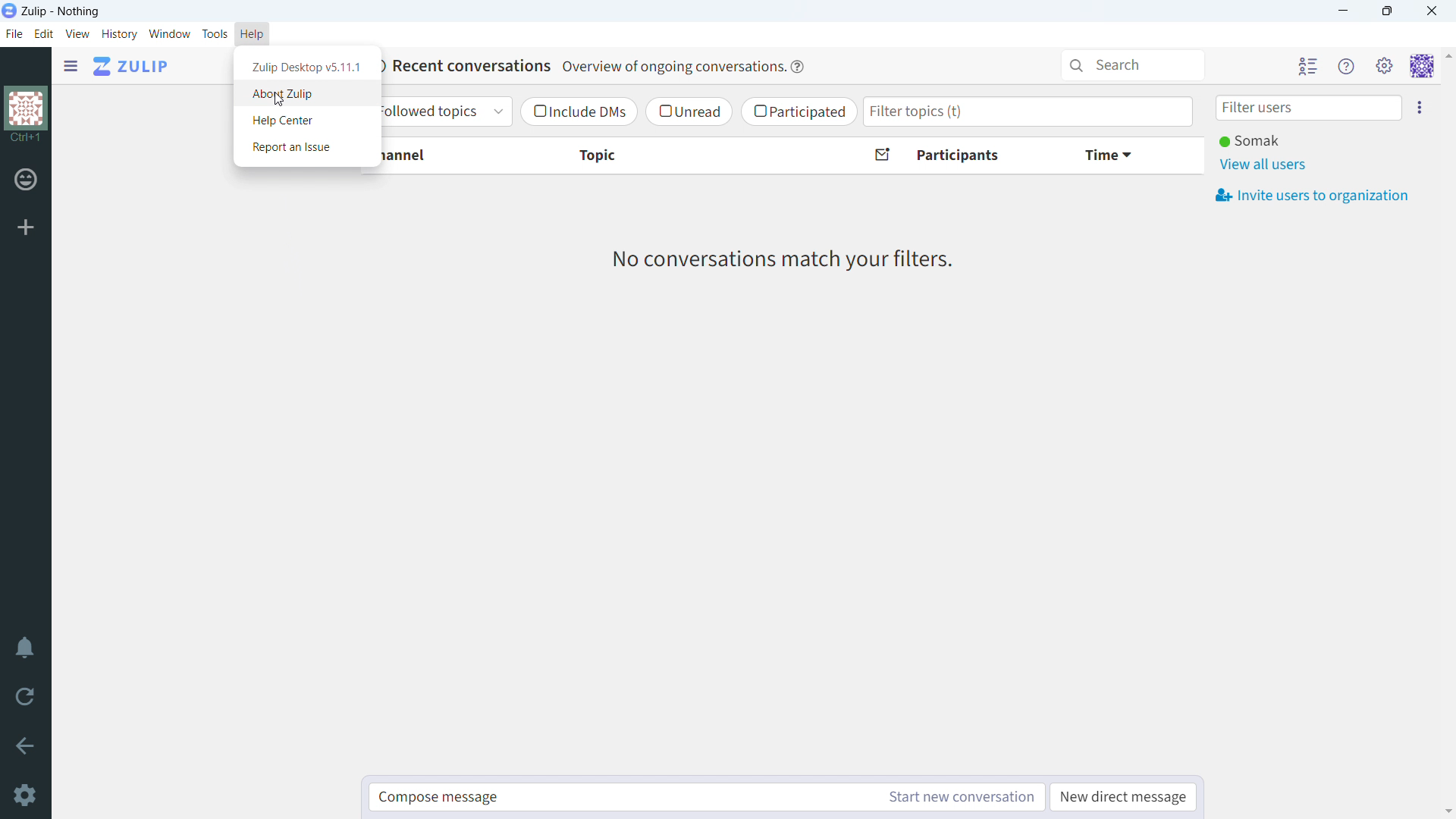 The height and width of the screenshot is (819, 1456). What do you see at coordinates (1386, 11) in the screenshot?
I see `maximize` at bounding box center [1386, 11].